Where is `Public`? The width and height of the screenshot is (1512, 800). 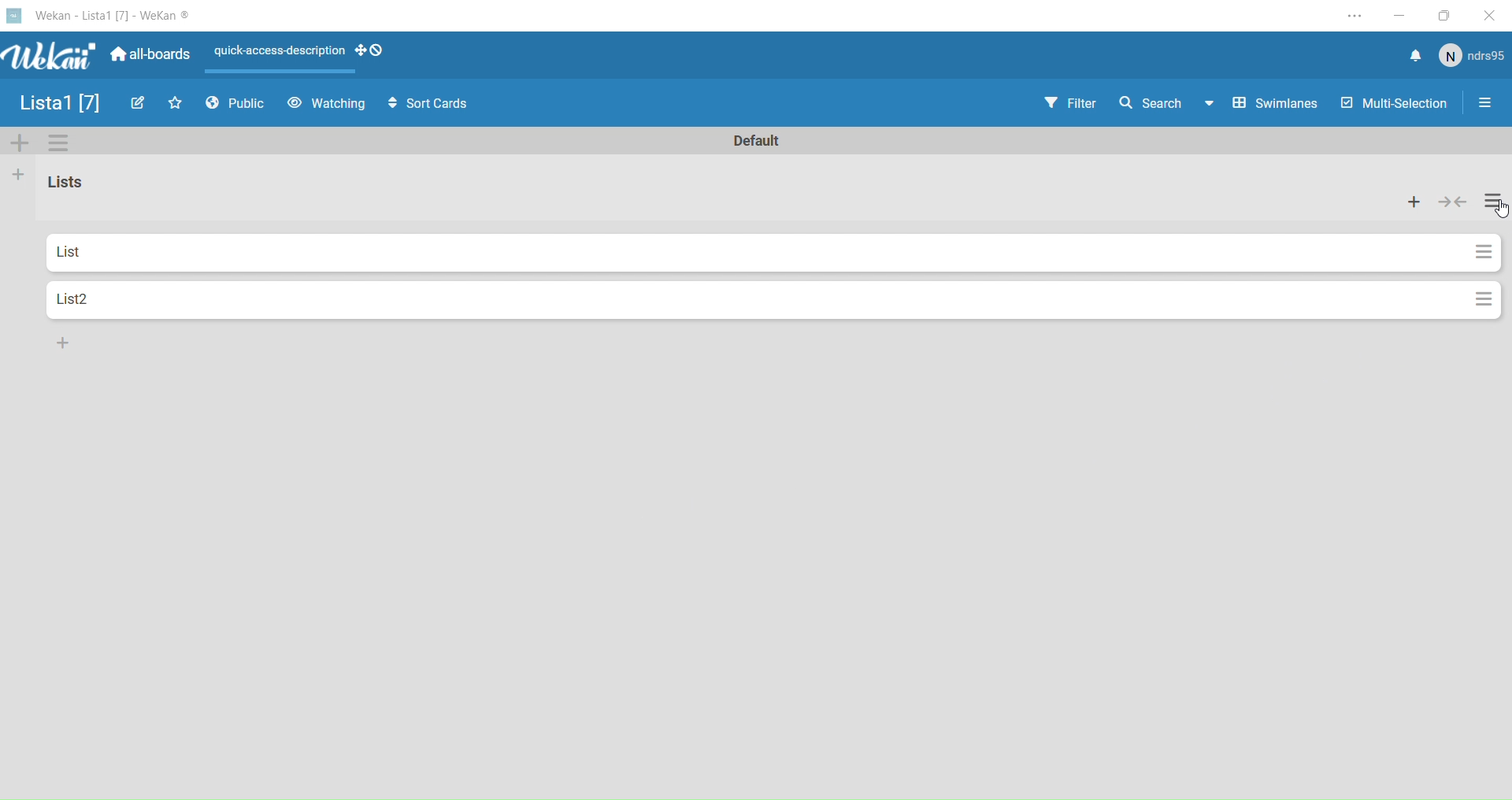
Public is located at coordinates (239, 103).